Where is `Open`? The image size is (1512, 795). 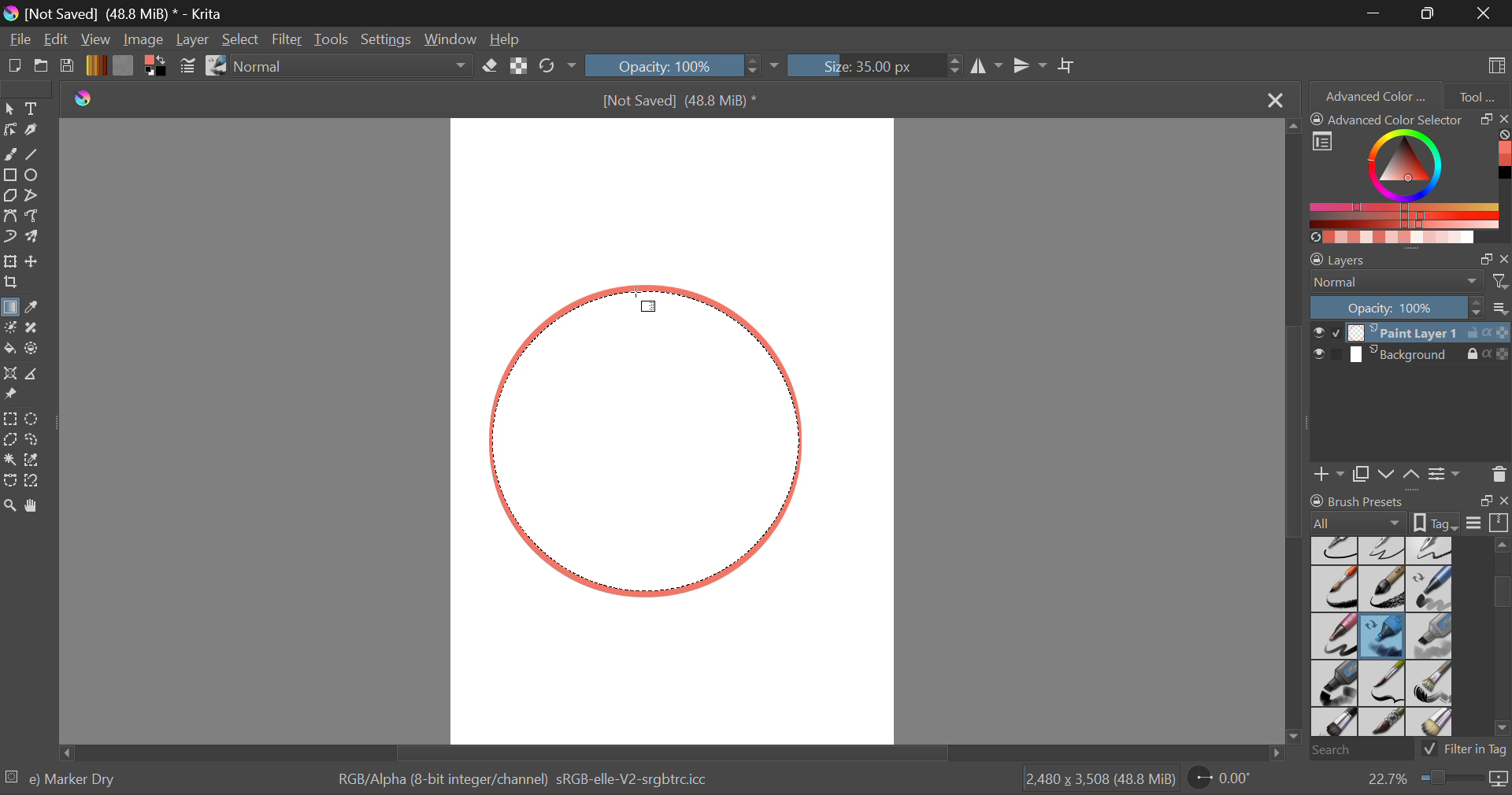 Open is located at coordinates (43, 68).